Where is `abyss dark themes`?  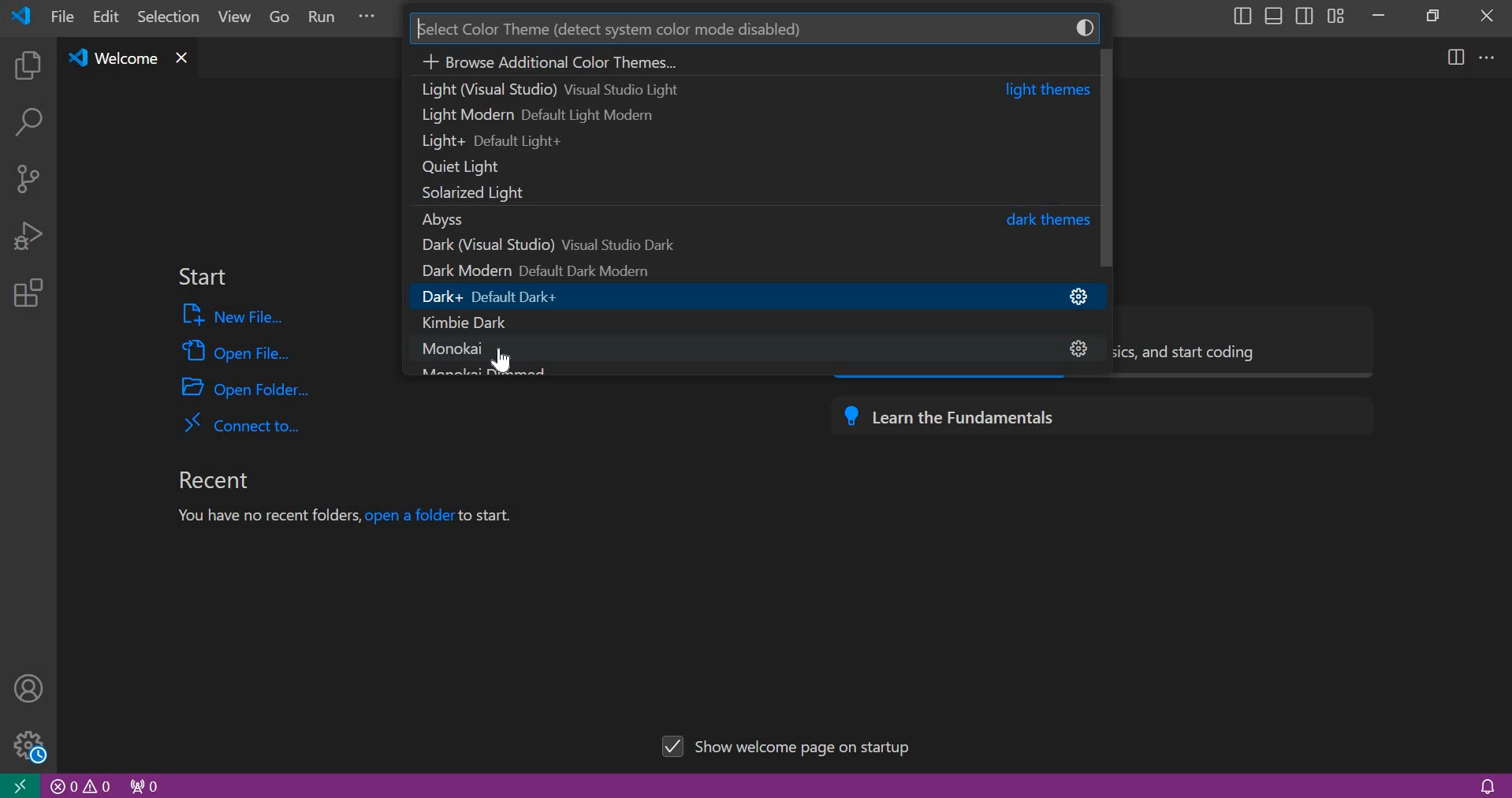
abyss dark themes is located at coordinates (749, 219).